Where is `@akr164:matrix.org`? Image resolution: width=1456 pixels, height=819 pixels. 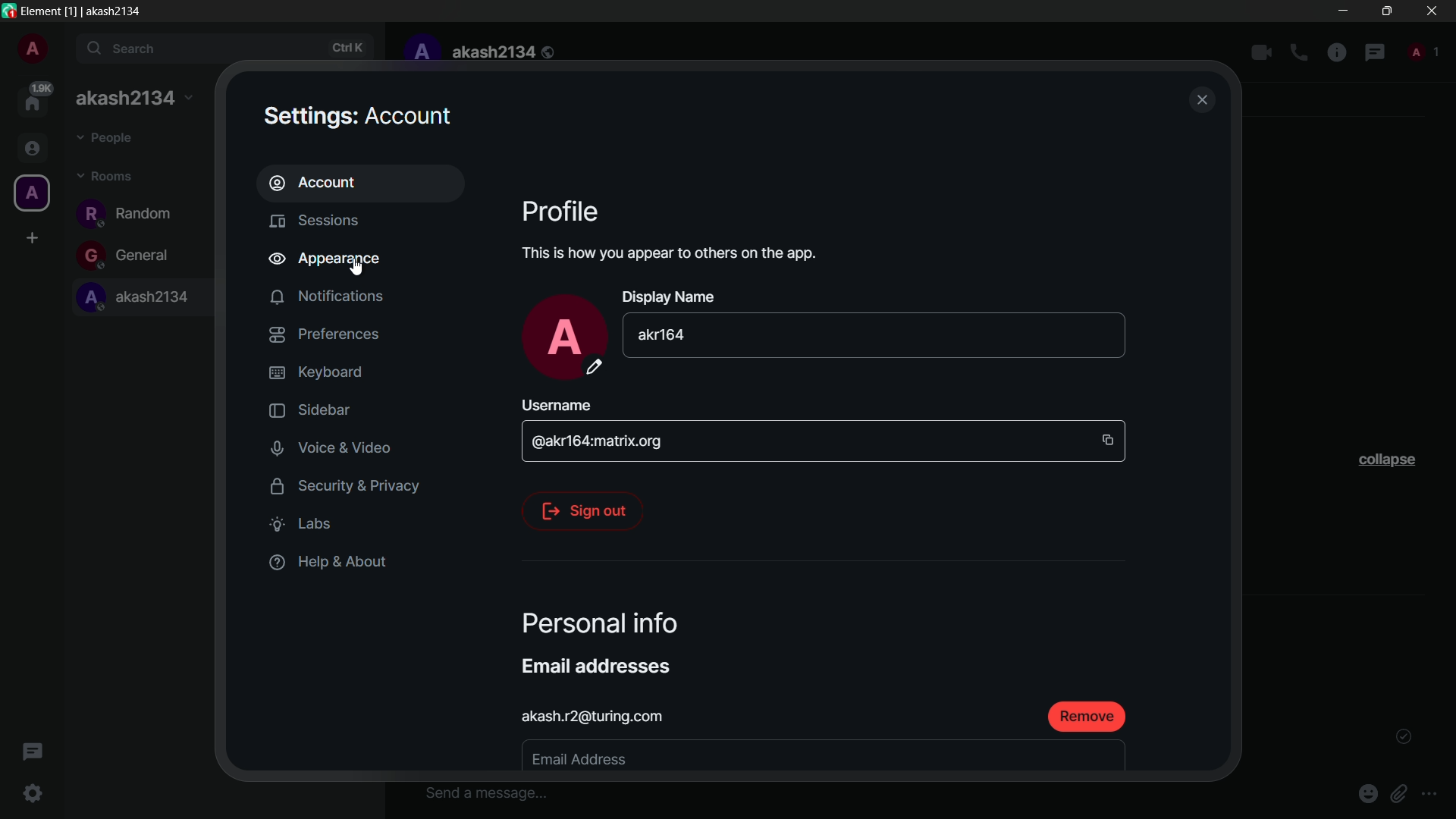 @akr164:matrix.org is located at coordinates (603, 442).